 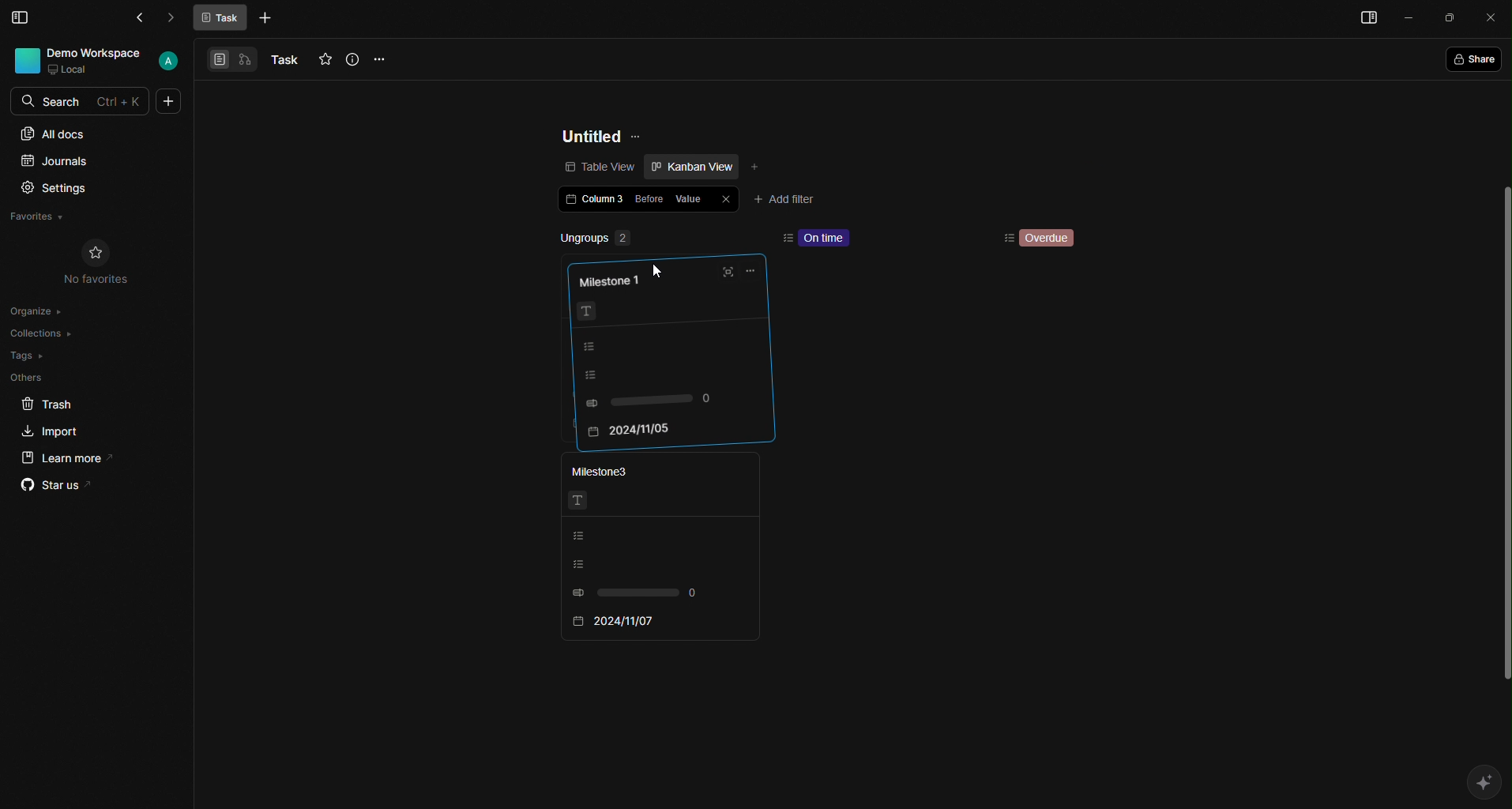 What do you see at coordinates (580, 499) in the screenshot?
I see `Text` at bounding box center [580, 499].